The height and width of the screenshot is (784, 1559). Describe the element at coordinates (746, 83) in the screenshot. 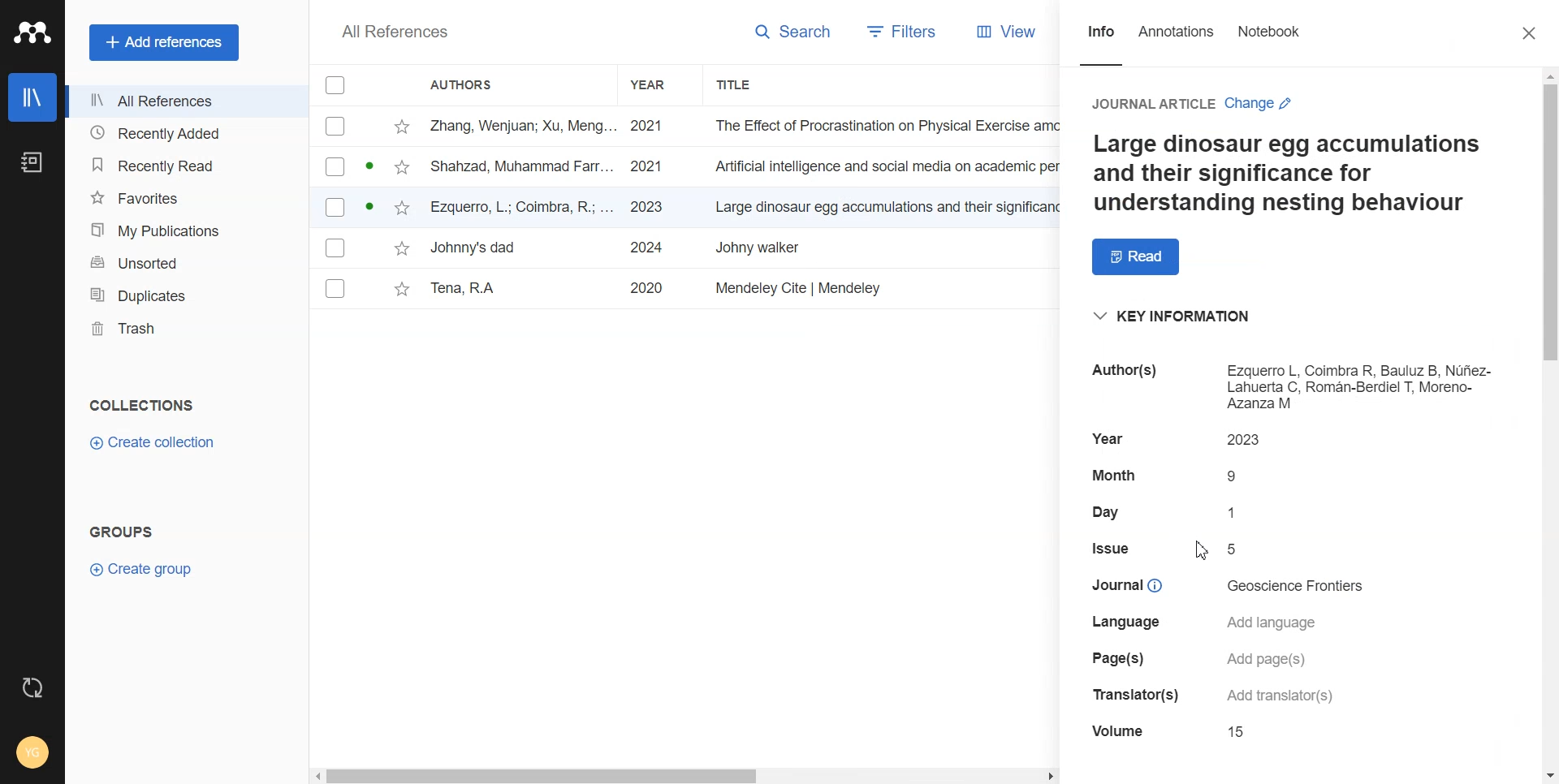

I see `Title` at that location.